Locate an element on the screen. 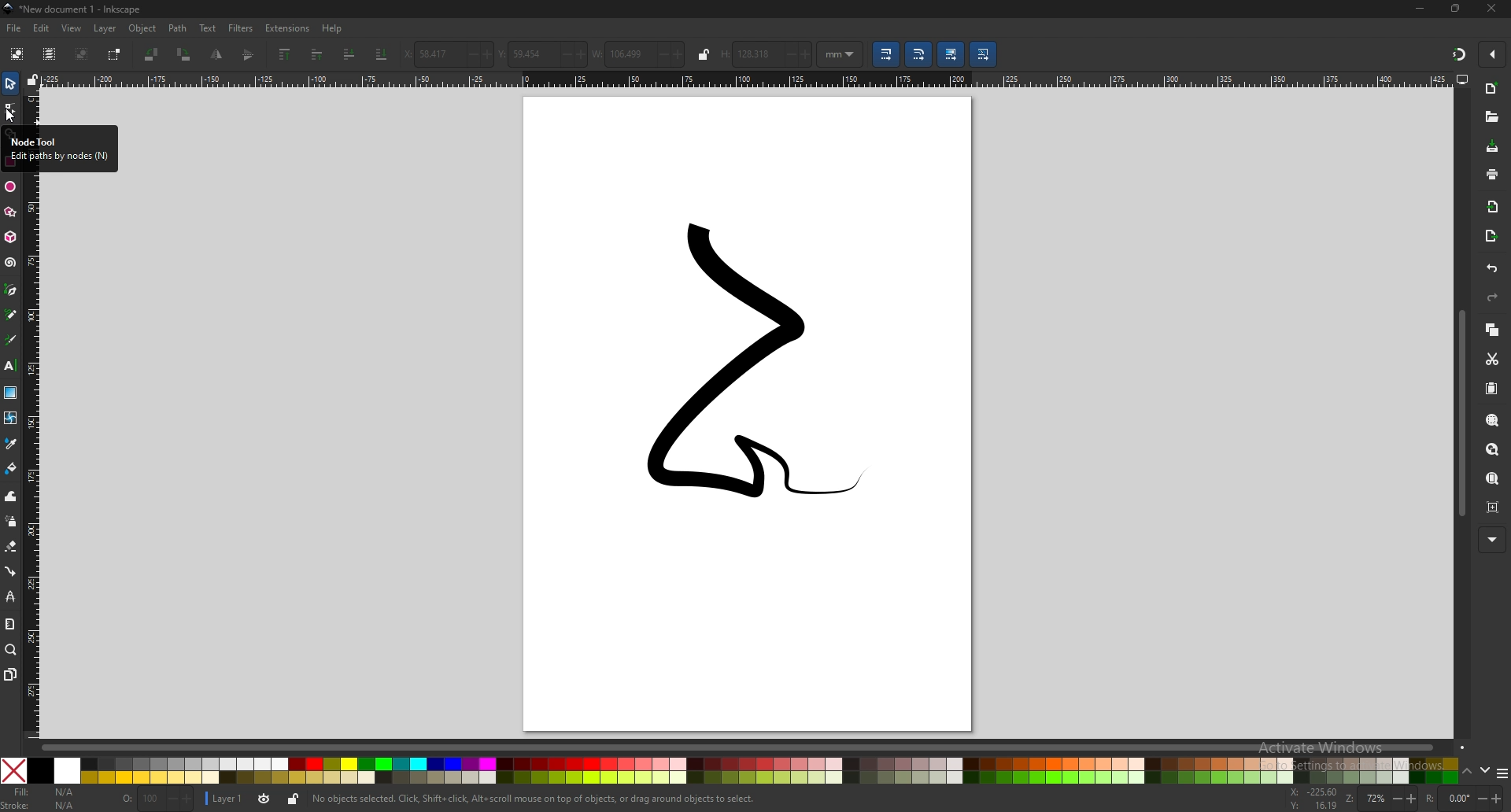  select all objects is located at coordinates (15, 54).